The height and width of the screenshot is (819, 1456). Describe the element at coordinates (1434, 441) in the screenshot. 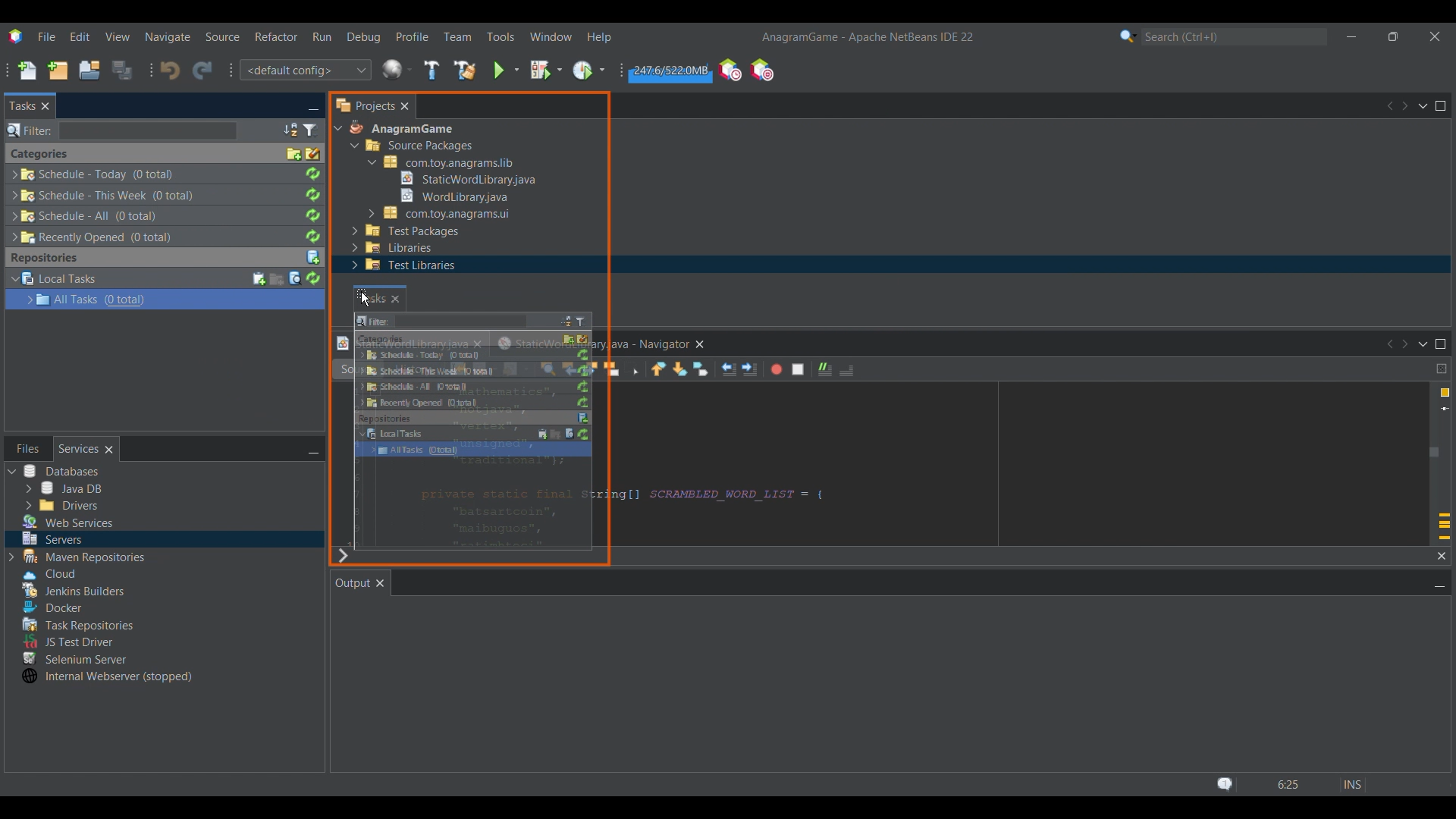

I see `Vertical slide bar` at that location.